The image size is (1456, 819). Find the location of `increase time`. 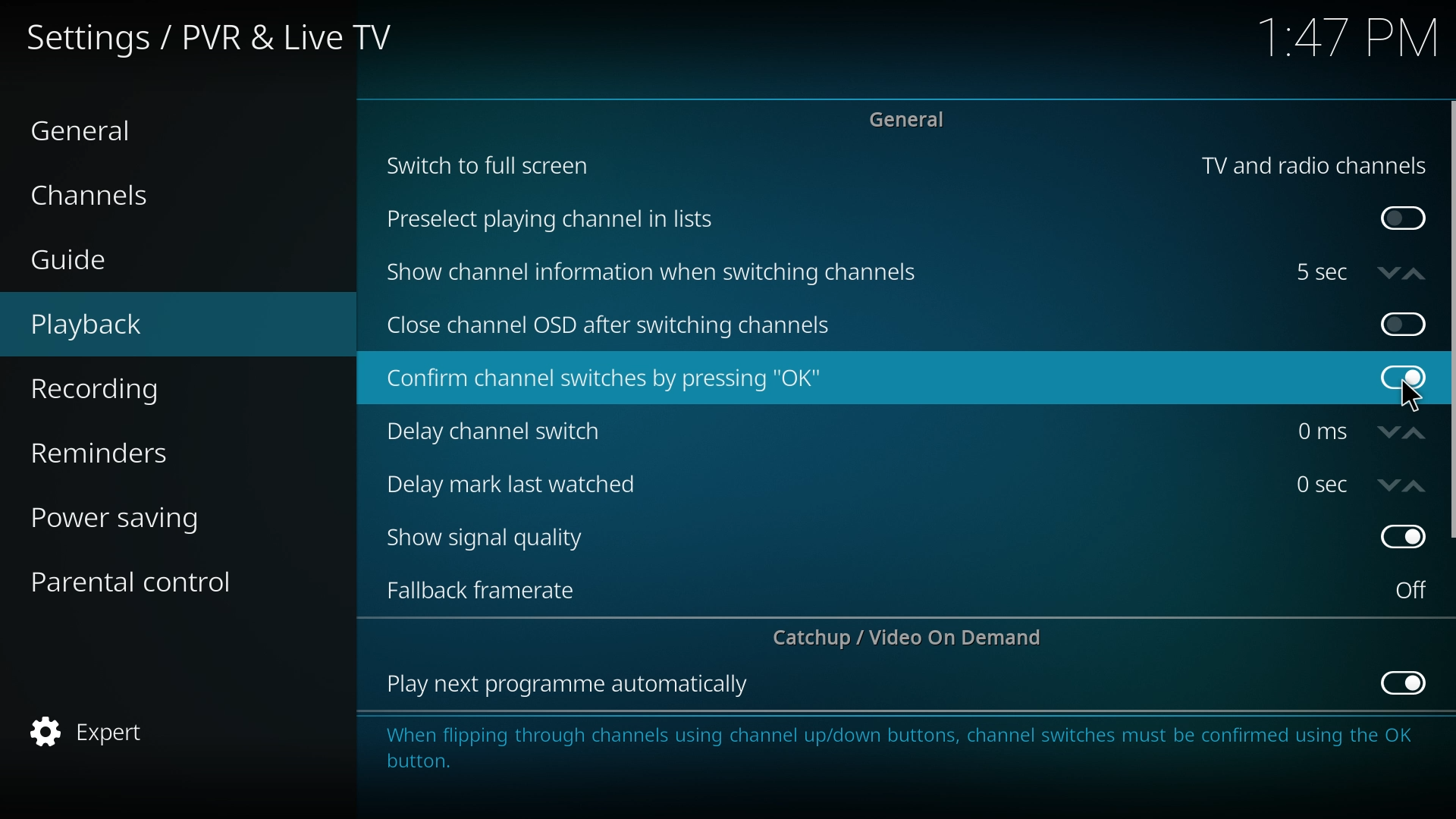

increase time is located at coordinates (1415, 434).